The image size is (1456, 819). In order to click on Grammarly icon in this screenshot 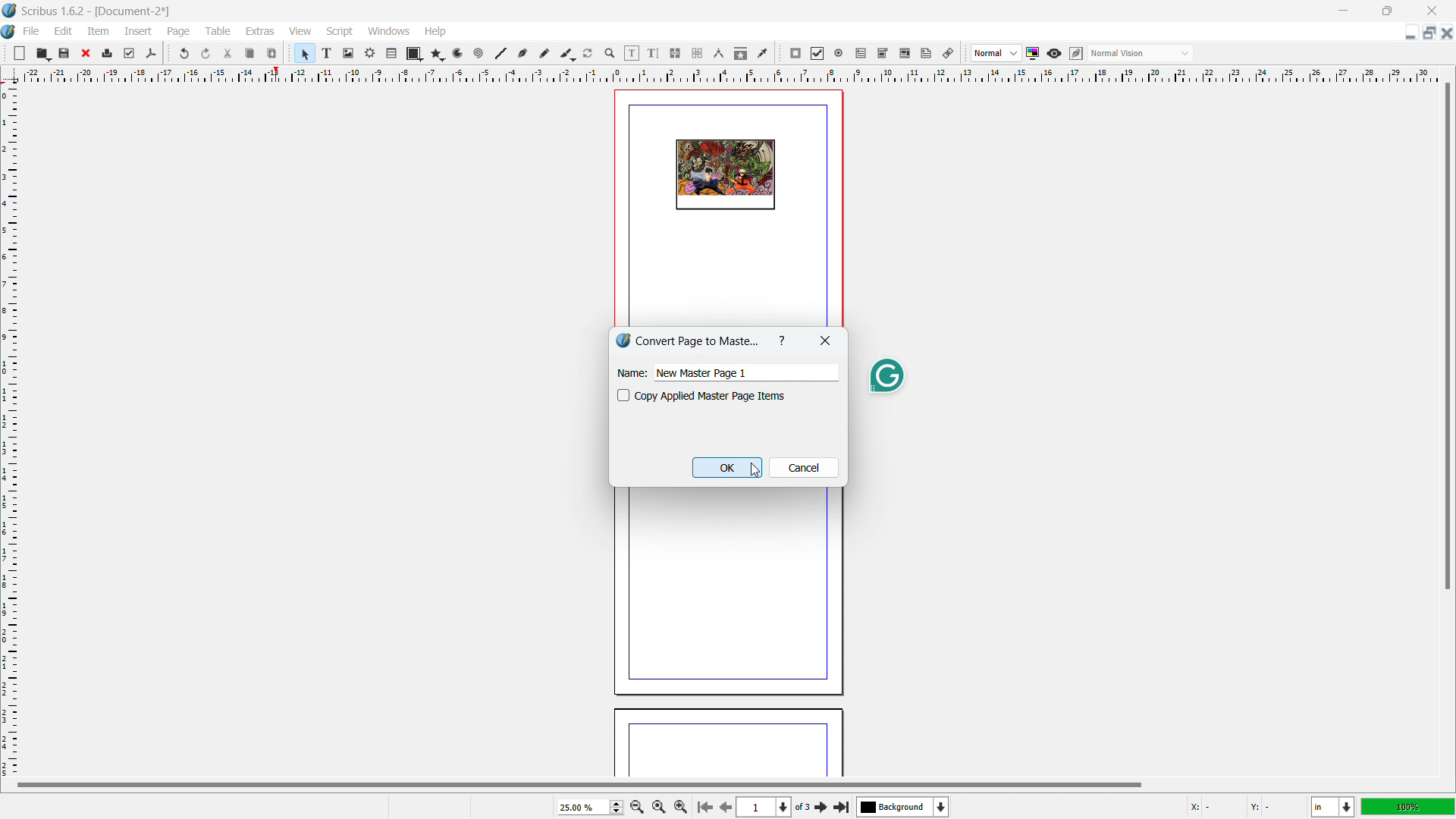, I will do `click(886, 376)`.